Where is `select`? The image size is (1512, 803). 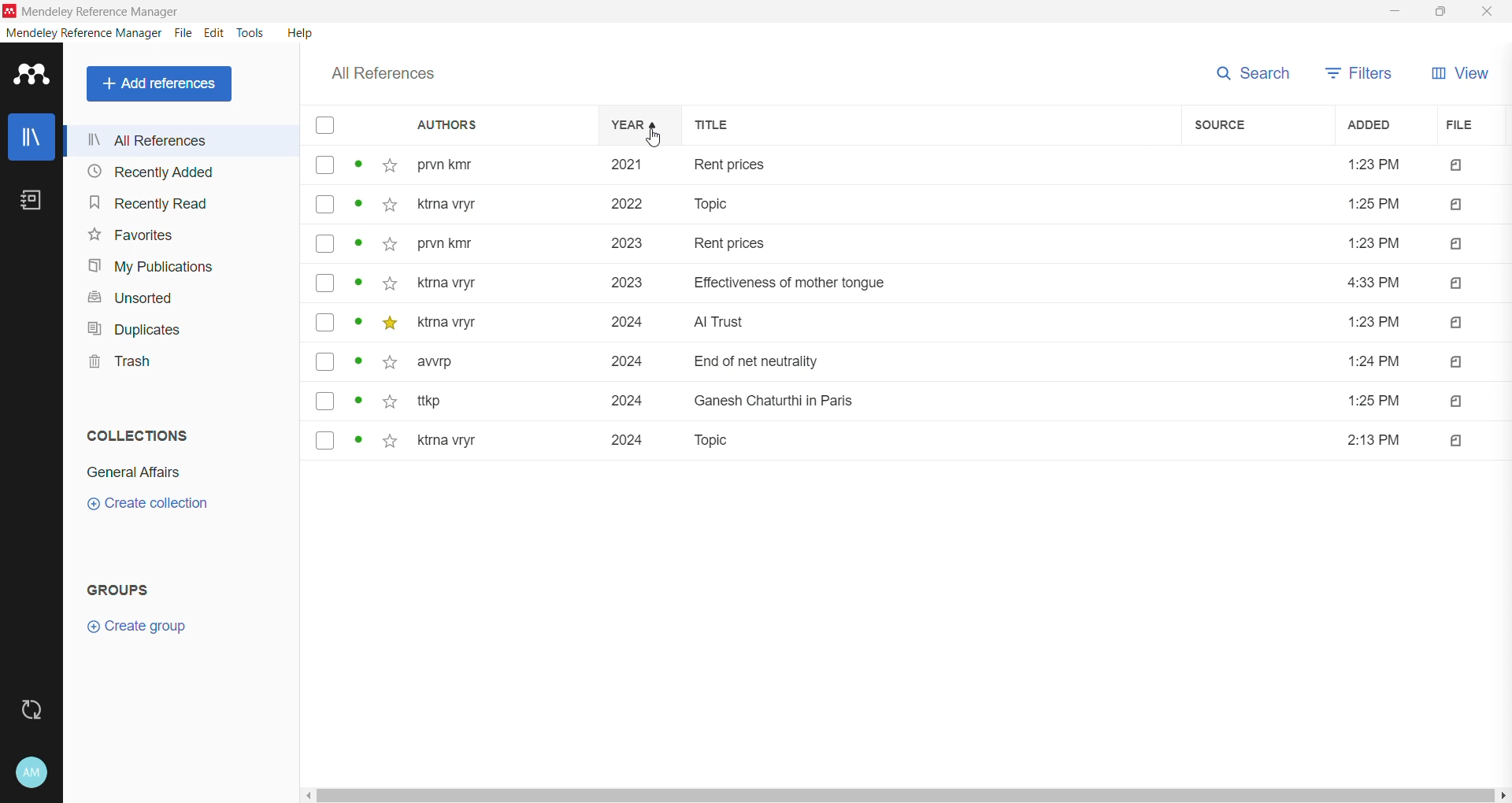 select is located at coordinates (326, 166).